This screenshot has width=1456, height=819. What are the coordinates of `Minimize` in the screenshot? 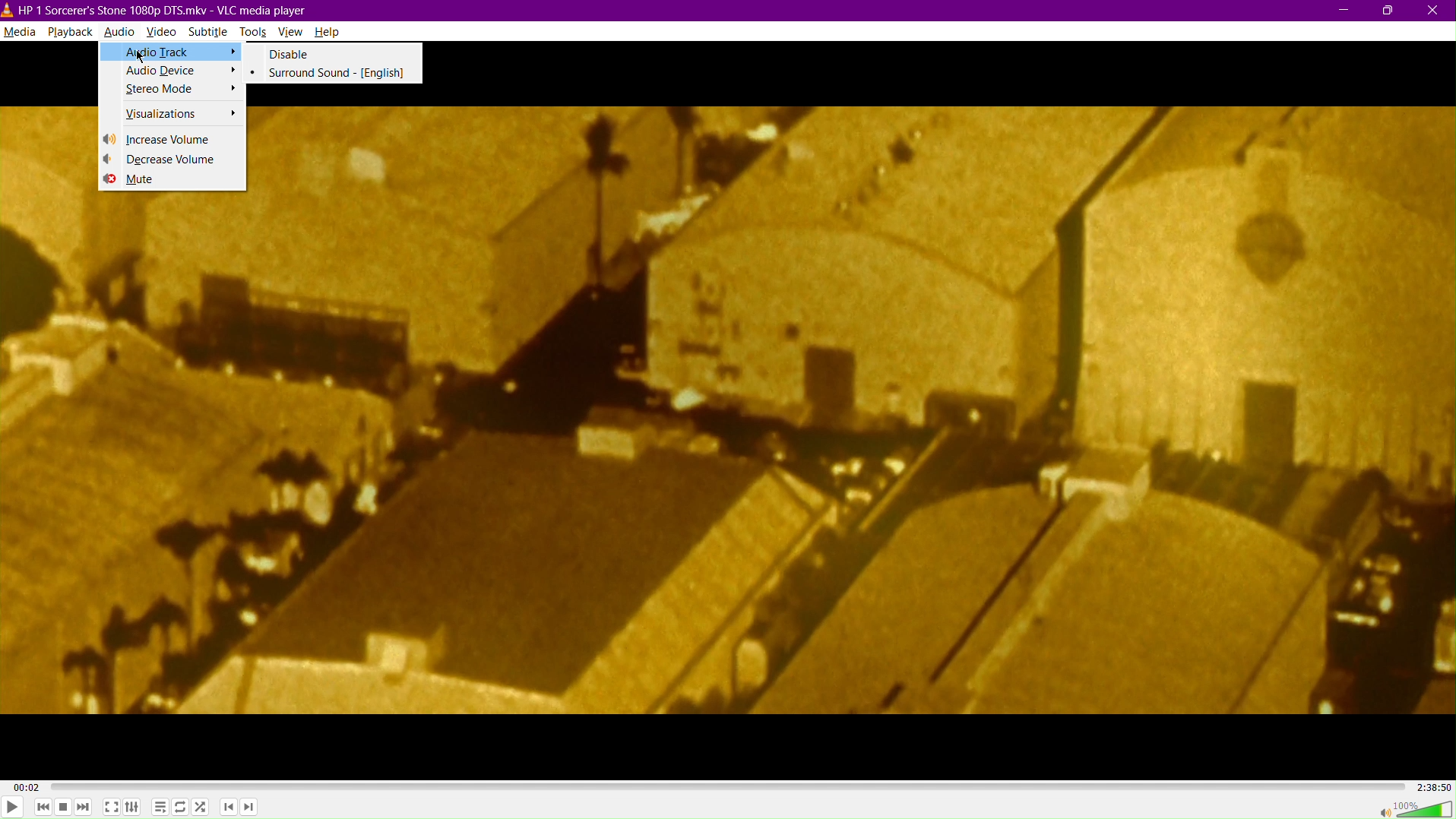 It's located at (1342, 10).